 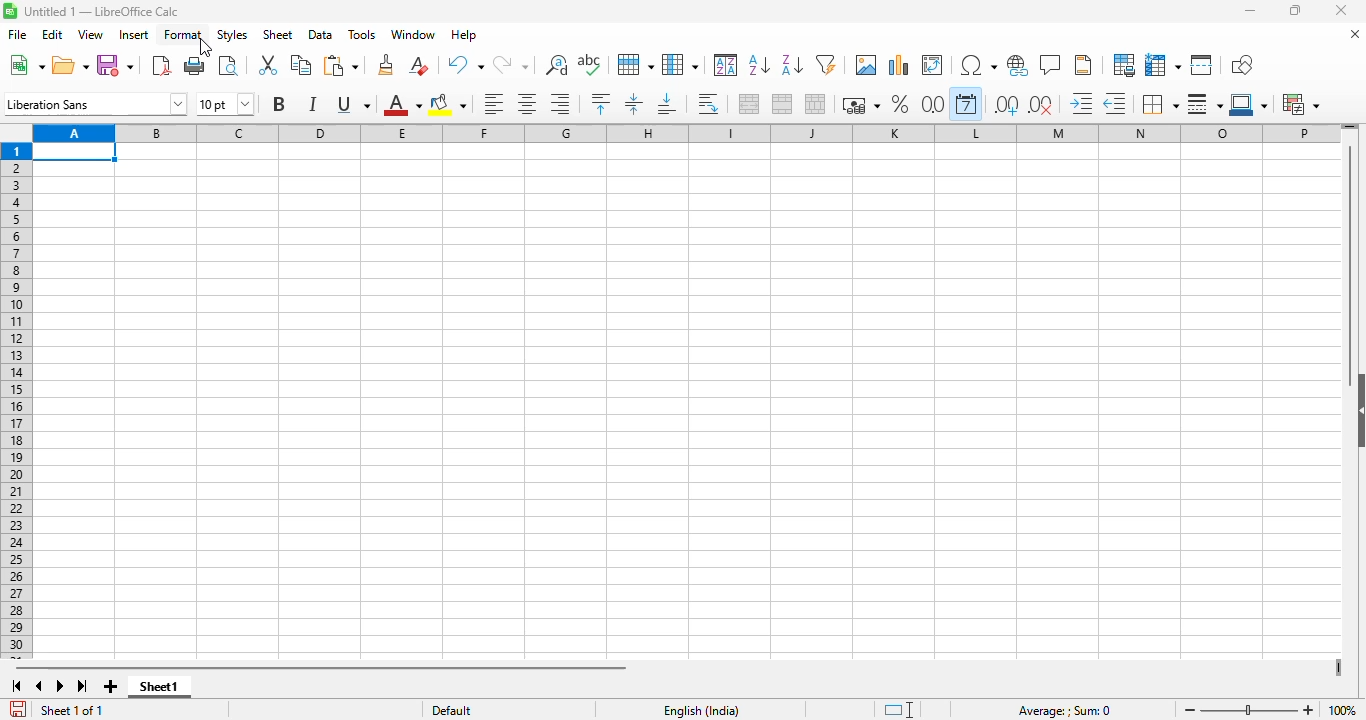 What do you see at coordinates (184, 35) in the screenshot?
I see `format` at bounding box center [184, 35].